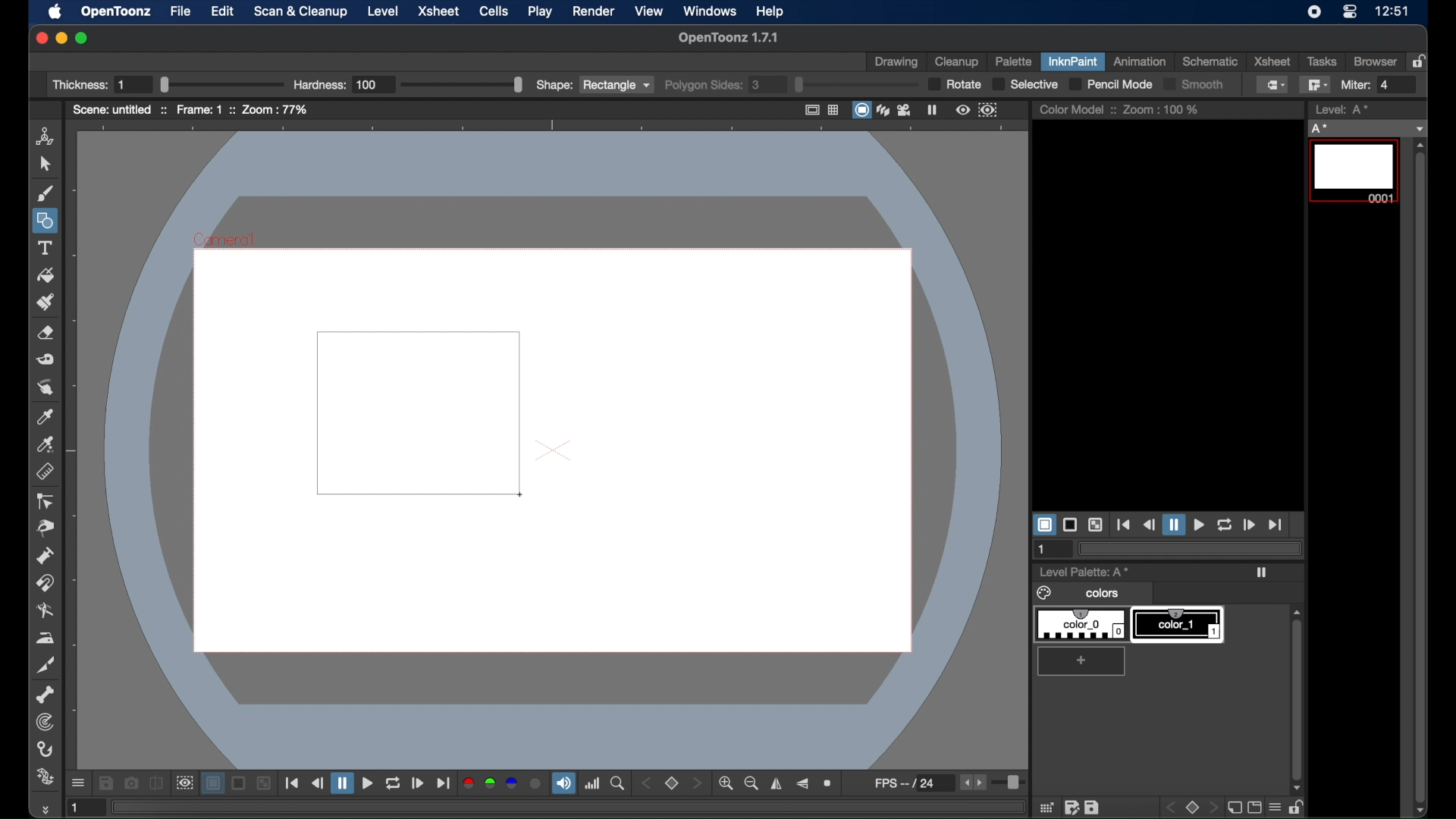 This screenshot has width=1456, height=819. Describe the element at coordinates (1085, 571) in the screenshot. I see `level palette: A*` at that location.